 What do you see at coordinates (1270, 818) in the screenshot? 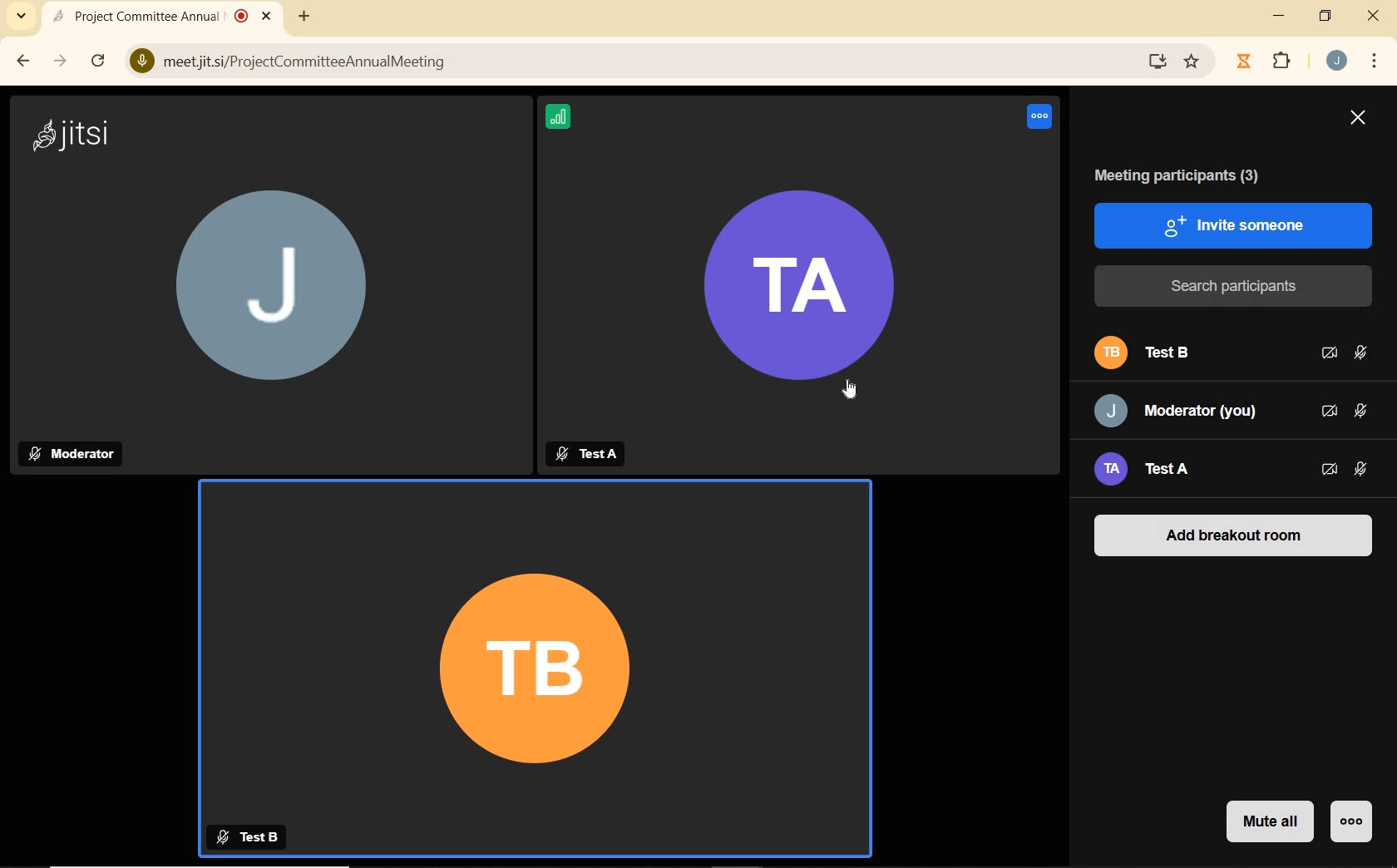
I see `MUTE ALL` at bounding box center [1270, 818].